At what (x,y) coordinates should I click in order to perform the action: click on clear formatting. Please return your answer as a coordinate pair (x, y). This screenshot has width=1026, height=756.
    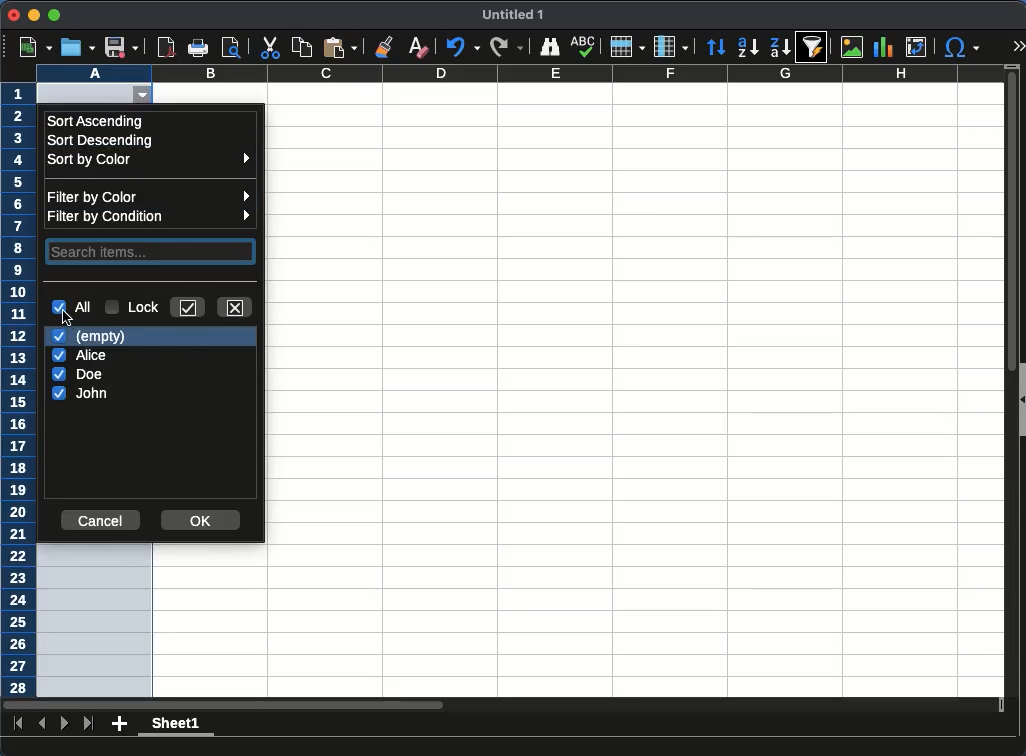
    Looking at the image, I should click on (417, 48).